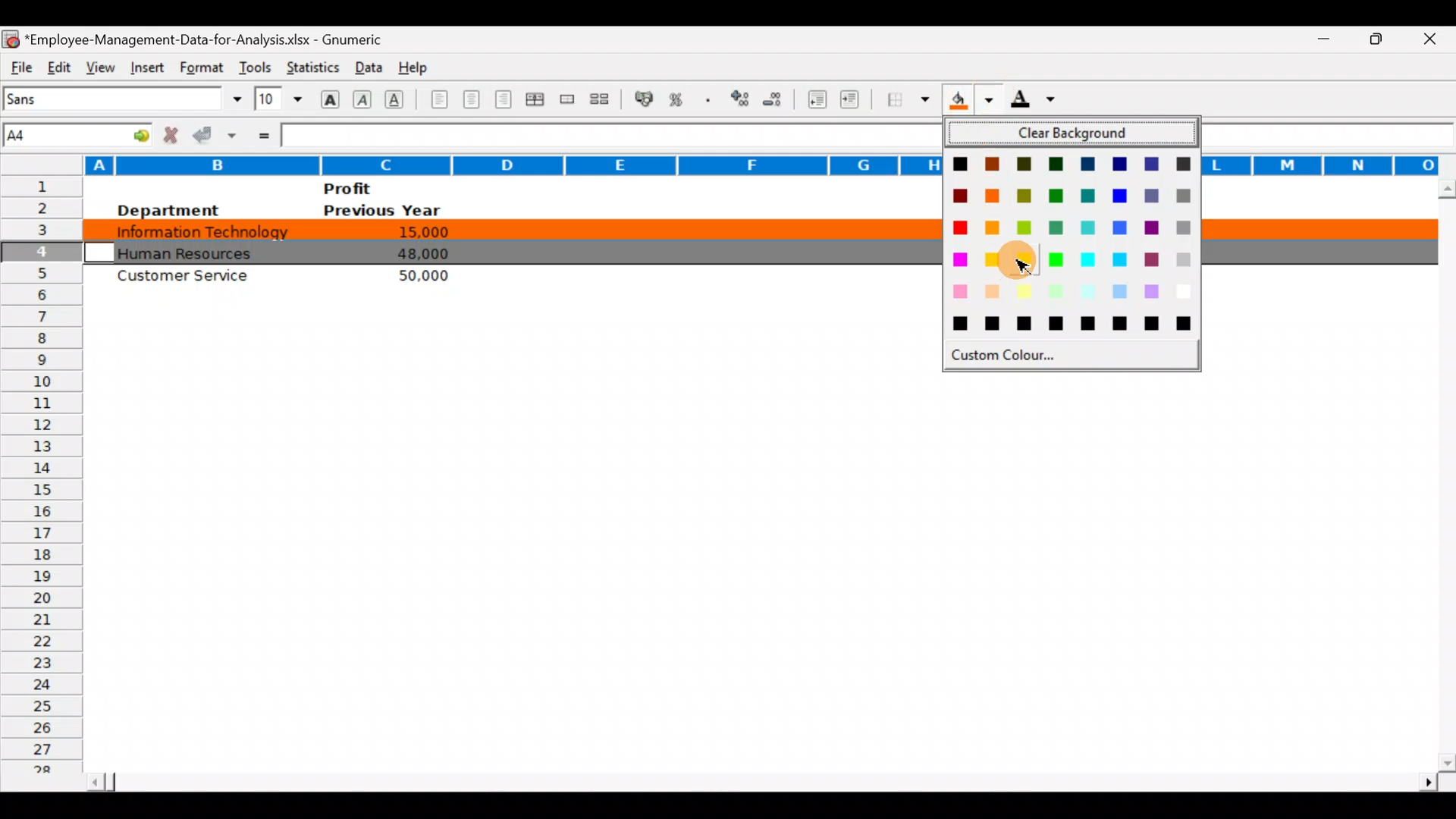 The width and height of the screenshot is (1456, 819). I want to click on Split merged range of cells, so click(600, 99).